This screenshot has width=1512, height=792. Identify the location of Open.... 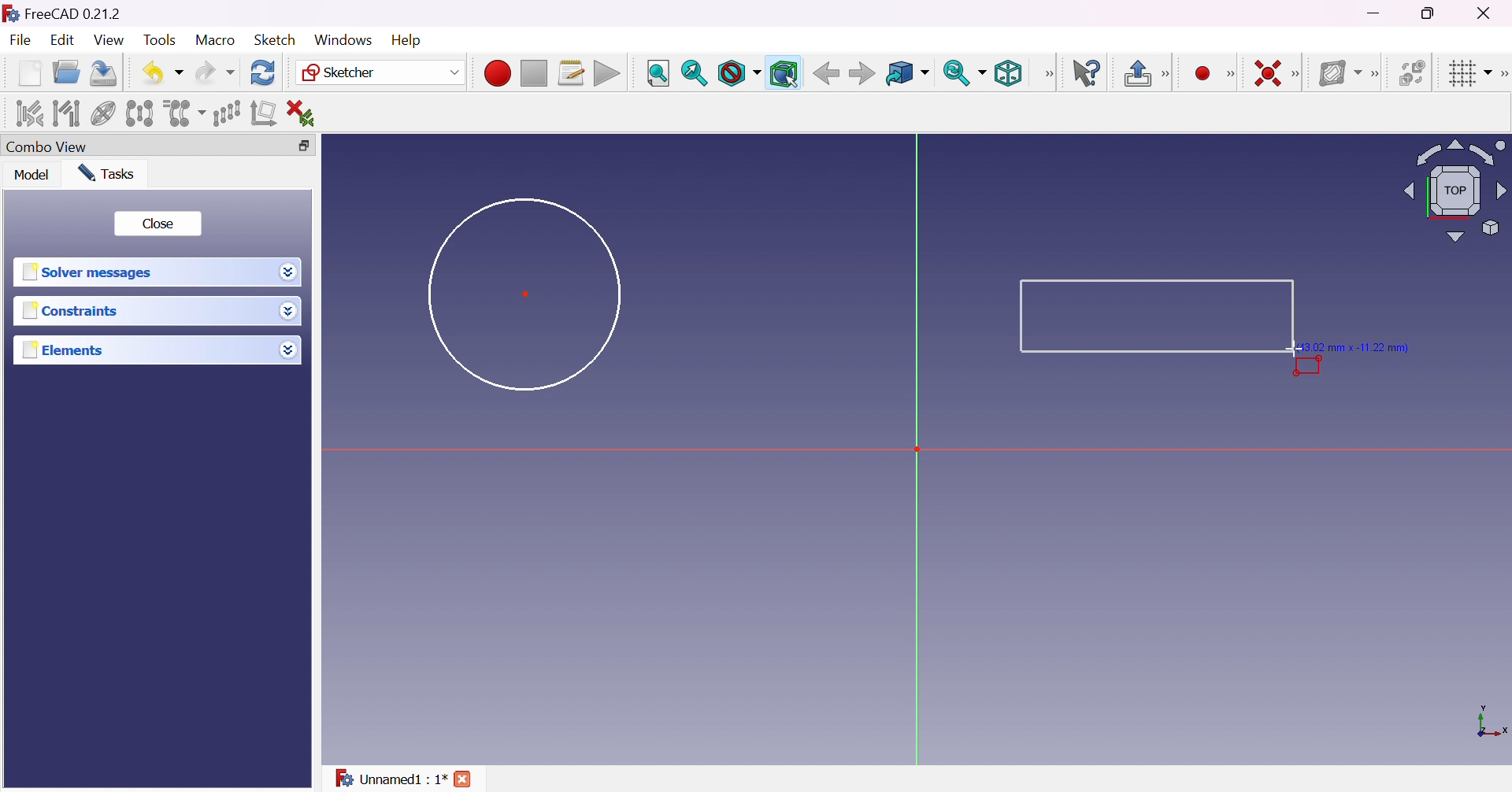
(65, 73).